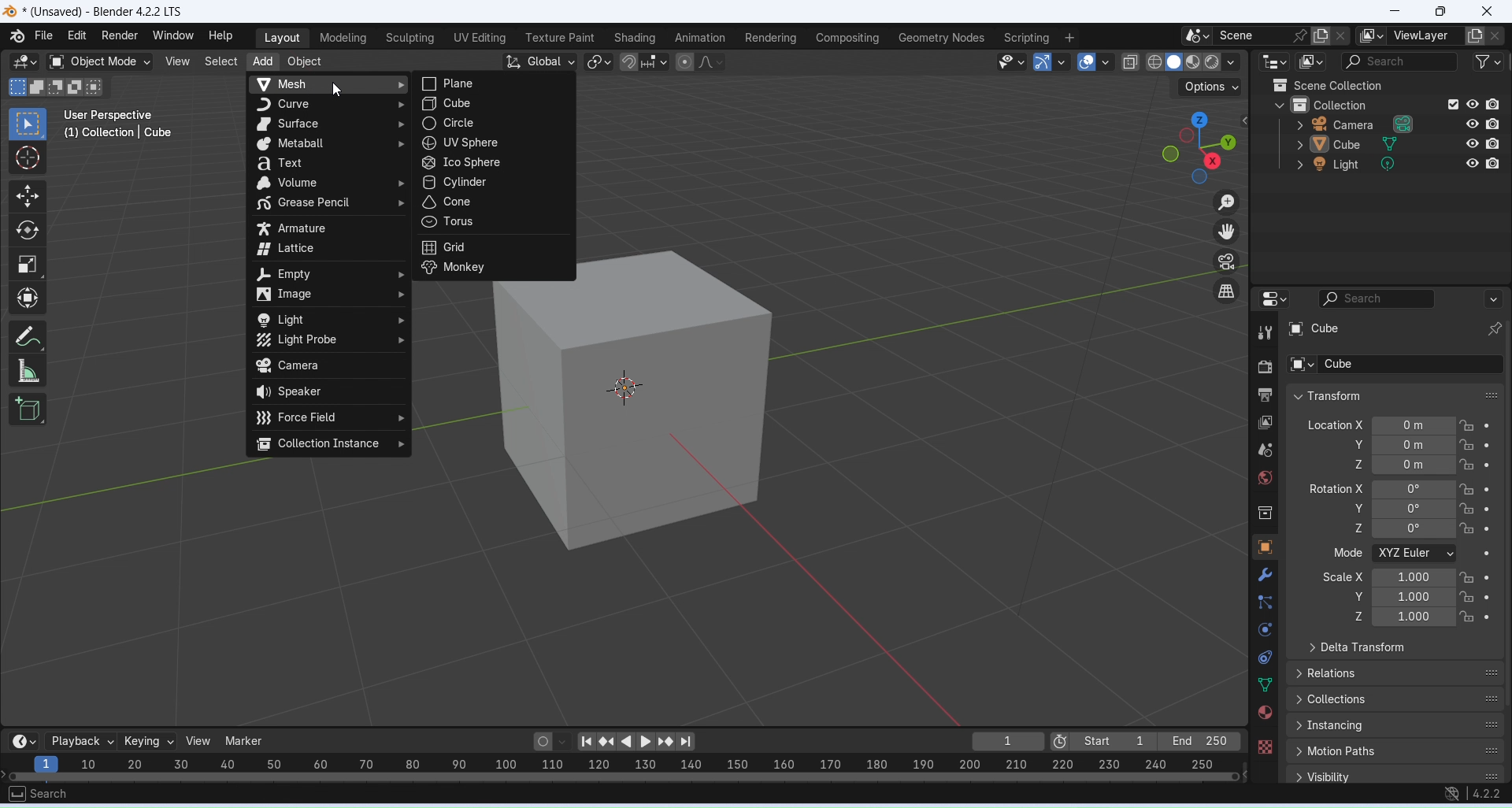  What do you see at coordinates (1432, 425) in the screenshot?
I see `Location` at bounding box center [1432, 425].